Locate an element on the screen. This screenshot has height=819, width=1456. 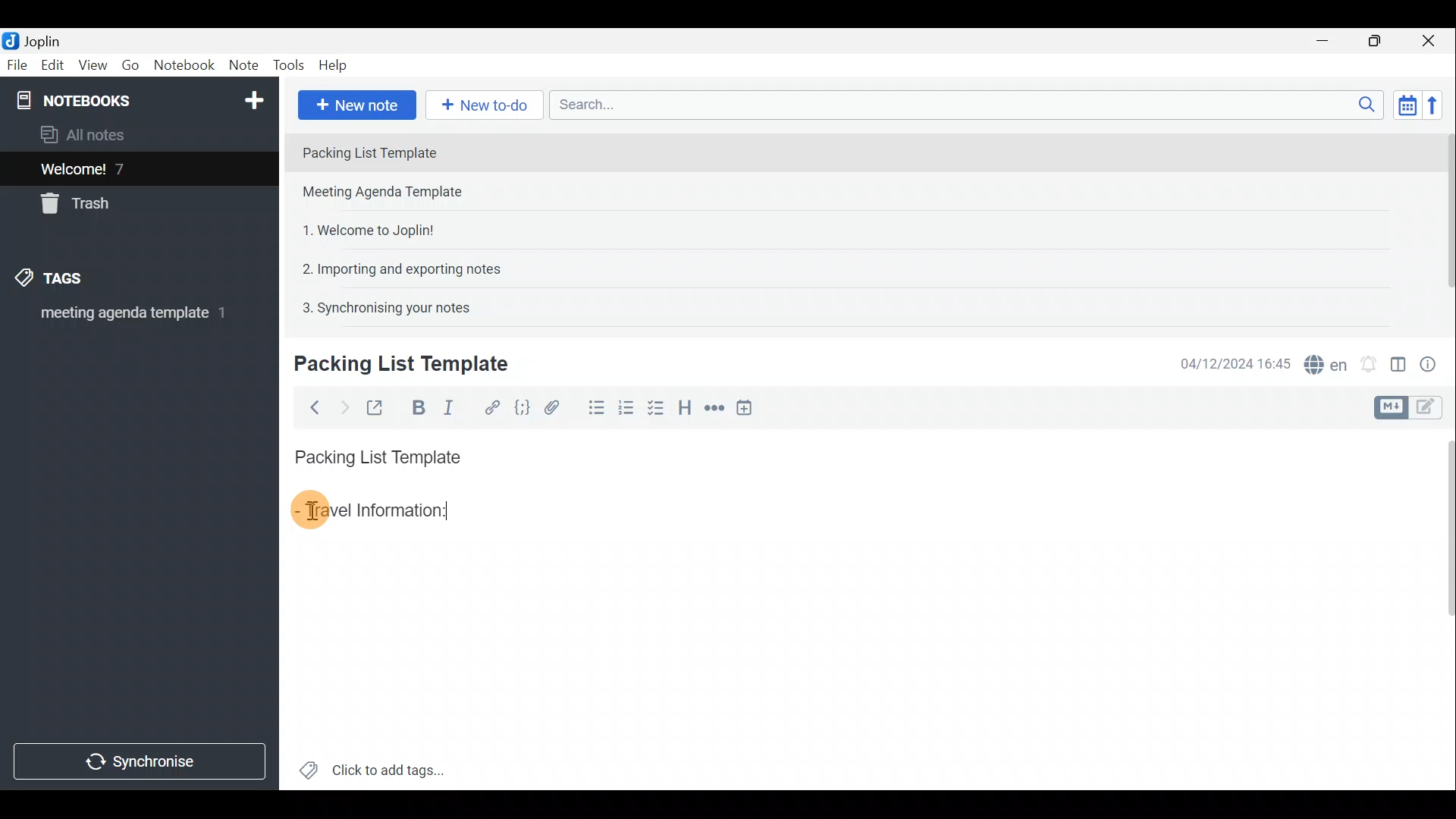
Toggle editor layout is located at coordinates (1398, 359).